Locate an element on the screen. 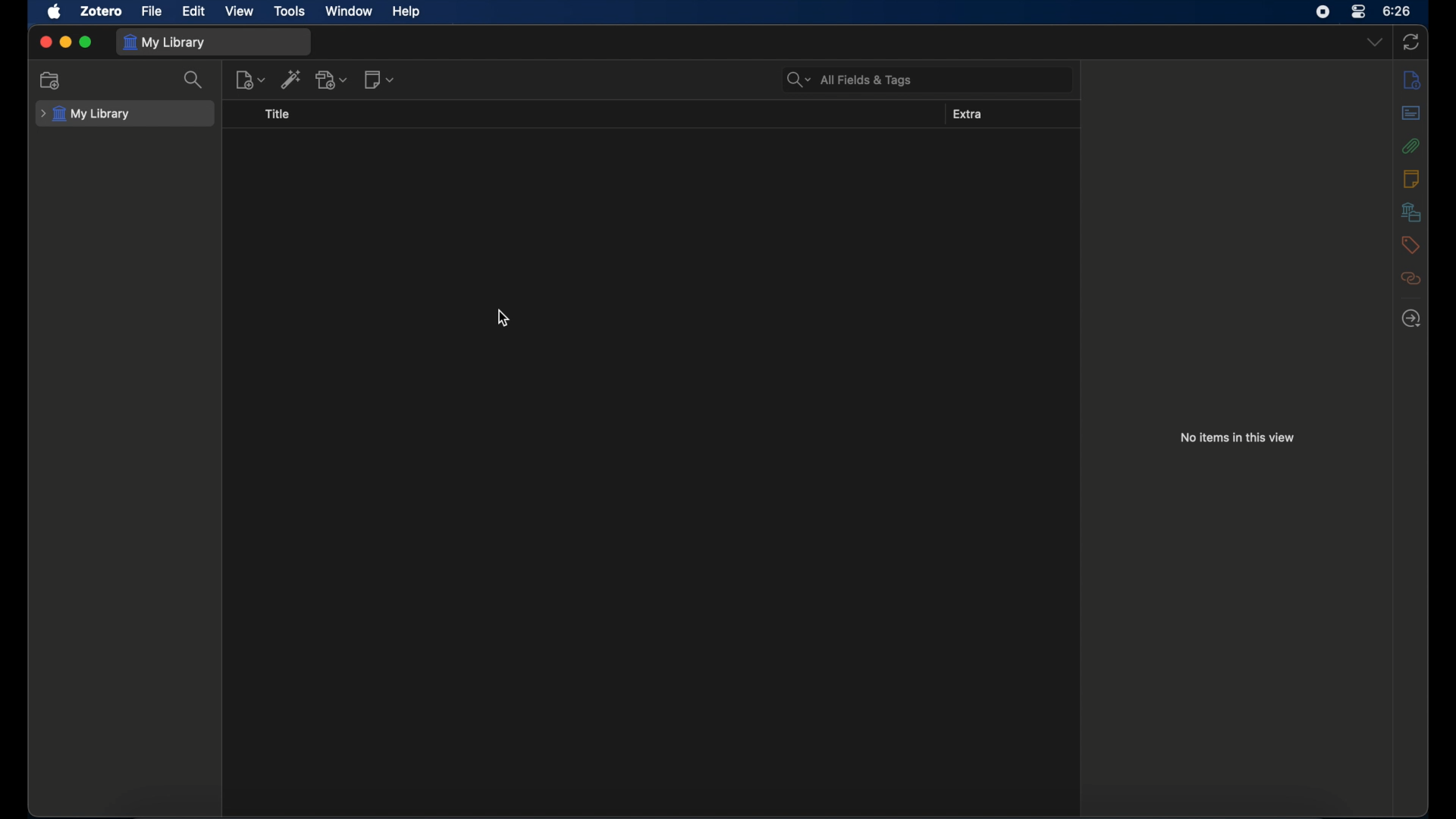 This screenshot has height=819, width=1456. edit is located at coordinates (194, 11).